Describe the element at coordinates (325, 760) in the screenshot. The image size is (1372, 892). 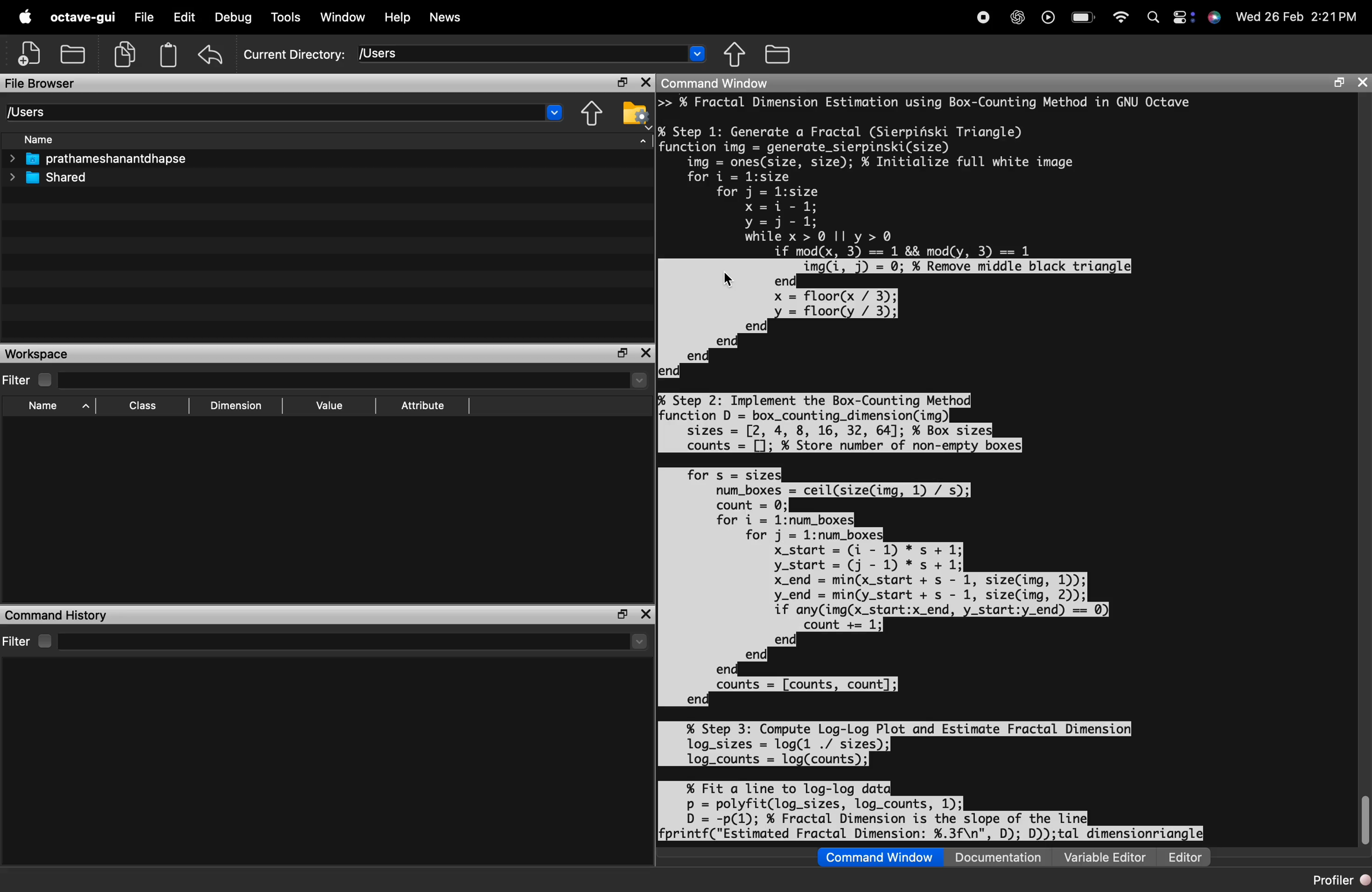
I see `empty command history area` at that location.